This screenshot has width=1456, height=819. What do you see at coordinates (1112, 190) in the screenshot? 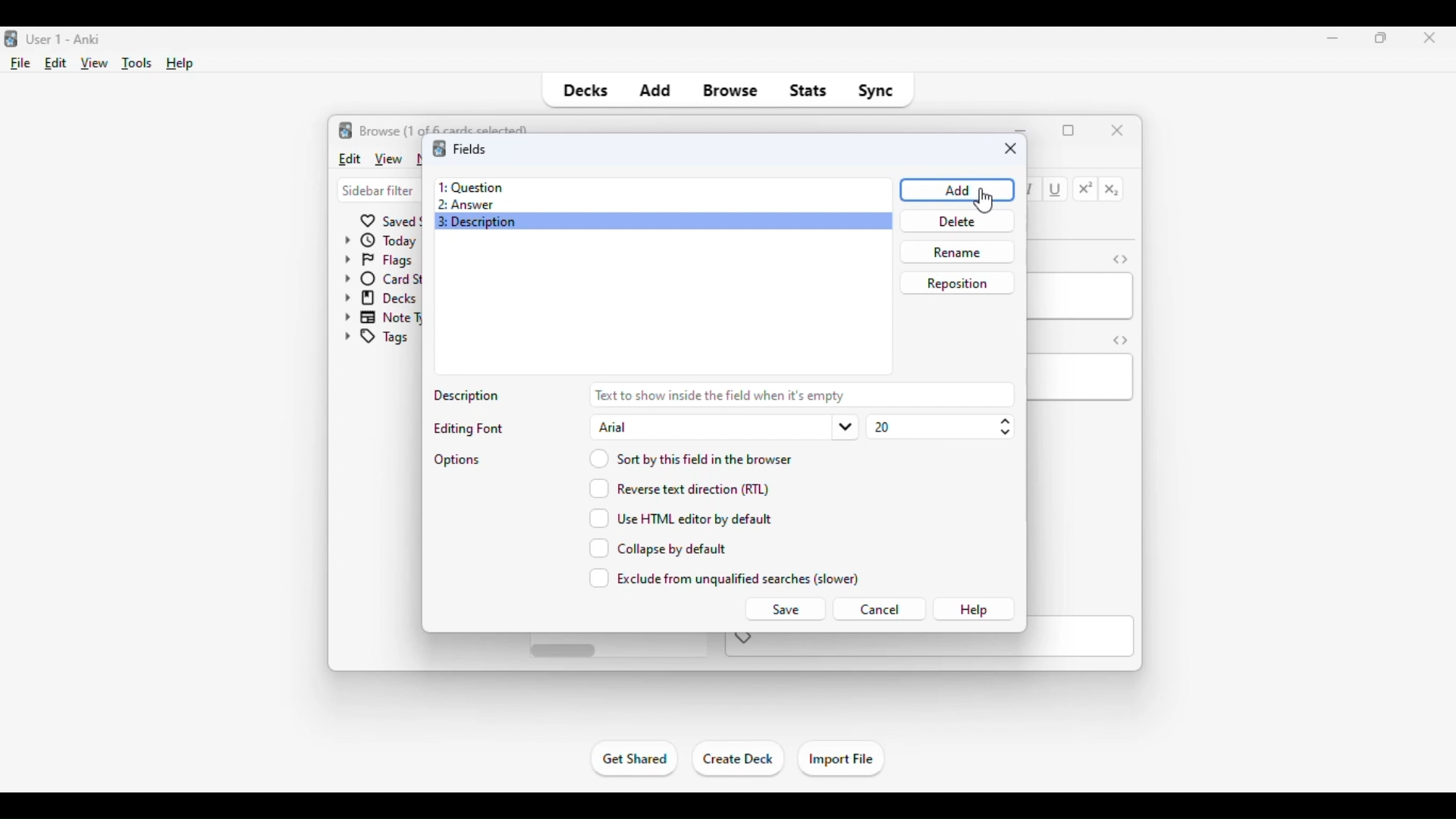
I see `subscript` at bounding box center [1112, 190].